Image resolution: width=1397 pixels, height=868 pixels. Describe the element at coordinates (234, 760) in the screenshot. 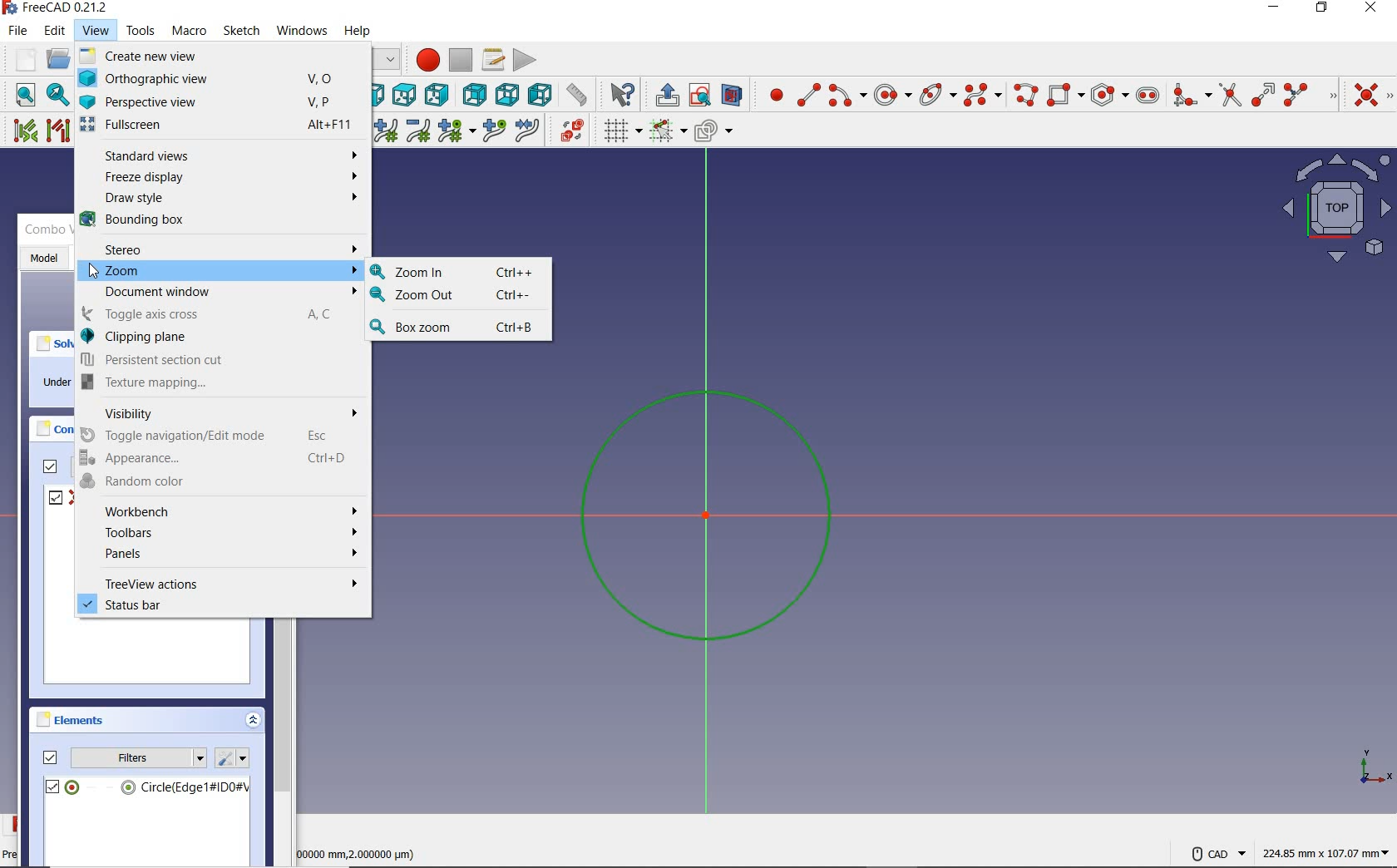

I see `settings` at that location.